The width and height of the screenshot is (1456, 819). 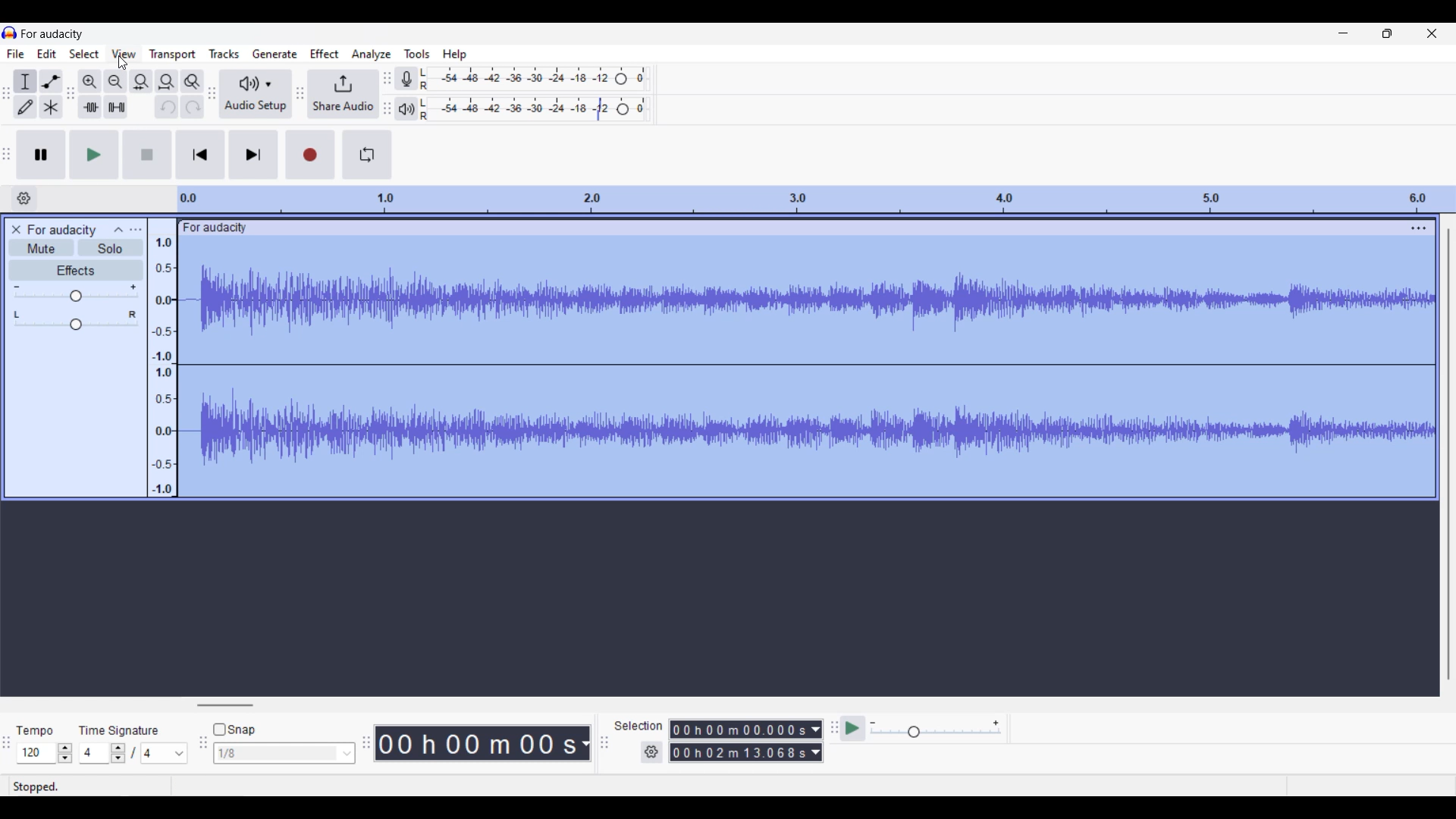 What do you see at coordinates (1419, 227) in the screenshot?
I see `Track settings` at bounding box center [1419, 227].